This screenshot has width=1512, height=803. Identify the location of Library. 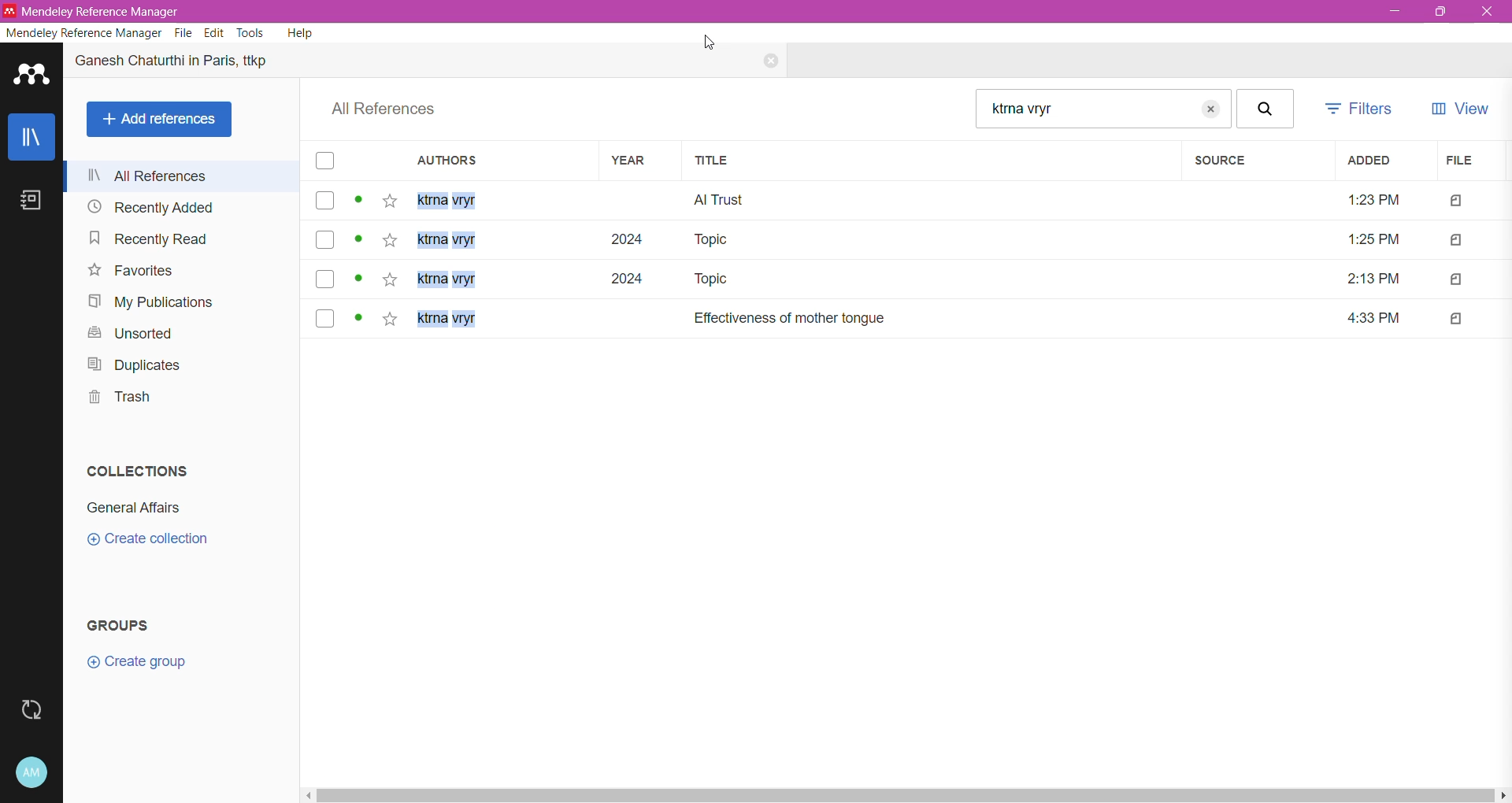
(31, 137).